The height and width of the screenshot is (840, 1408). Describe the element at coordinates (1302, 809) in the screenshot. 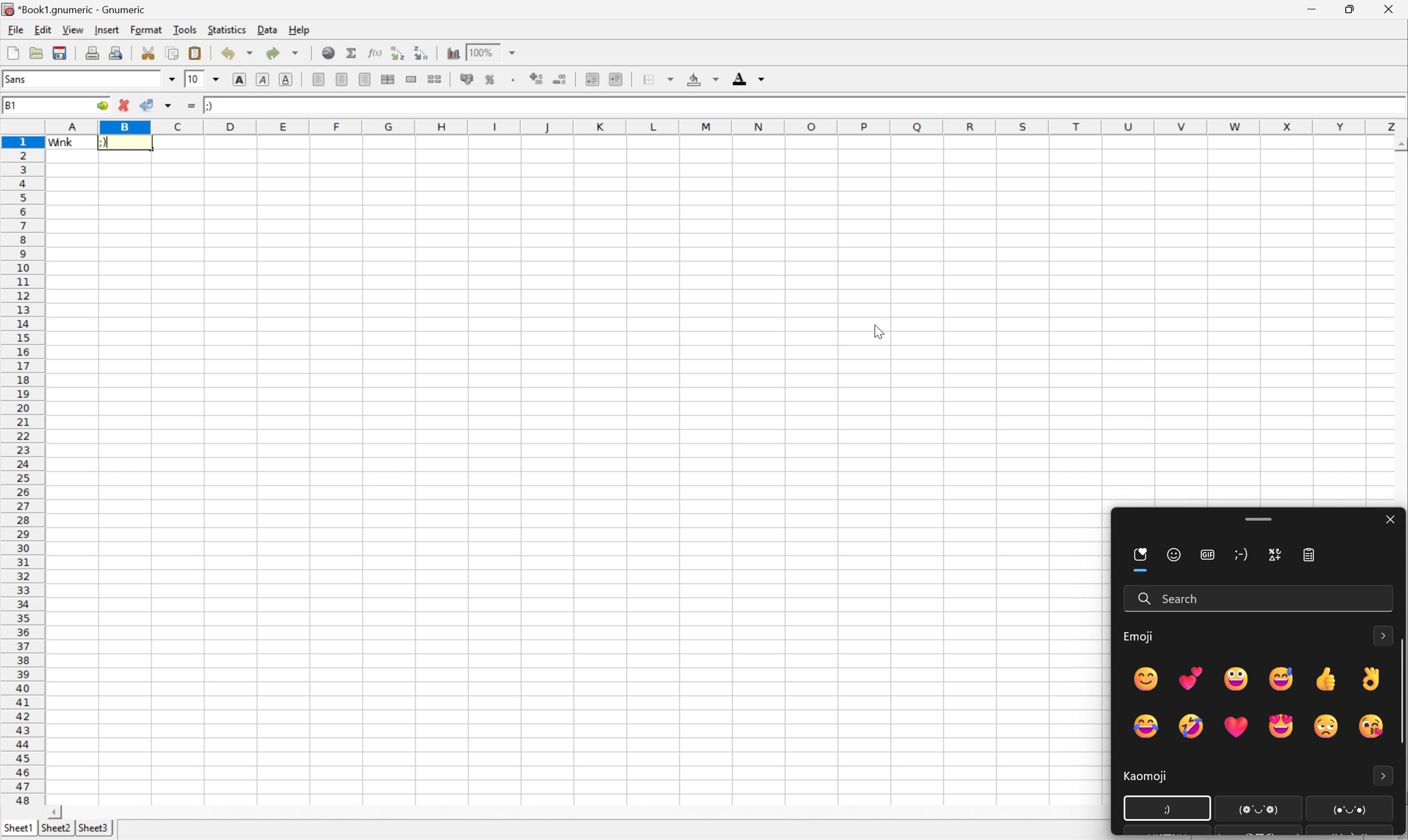

I see `kaomoji` at that location.